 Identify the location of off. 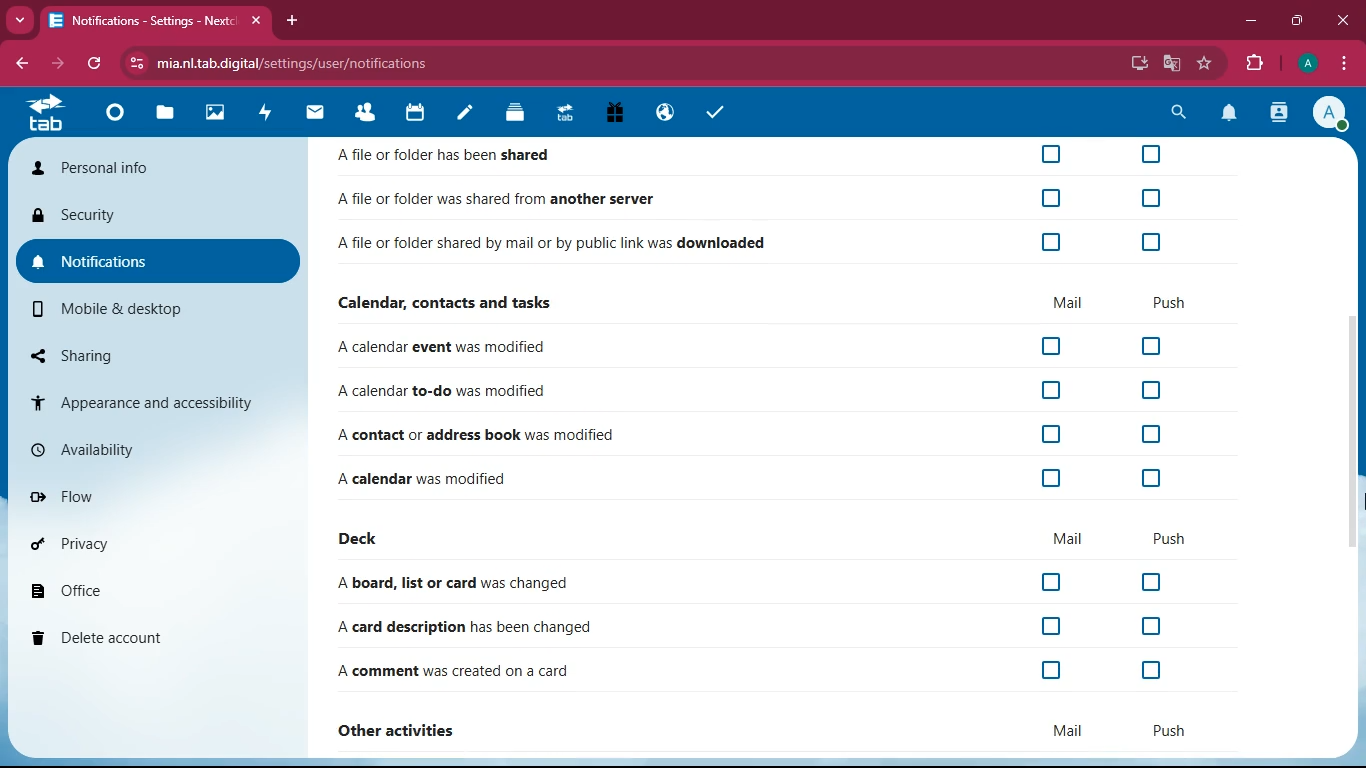
(1154, 581).